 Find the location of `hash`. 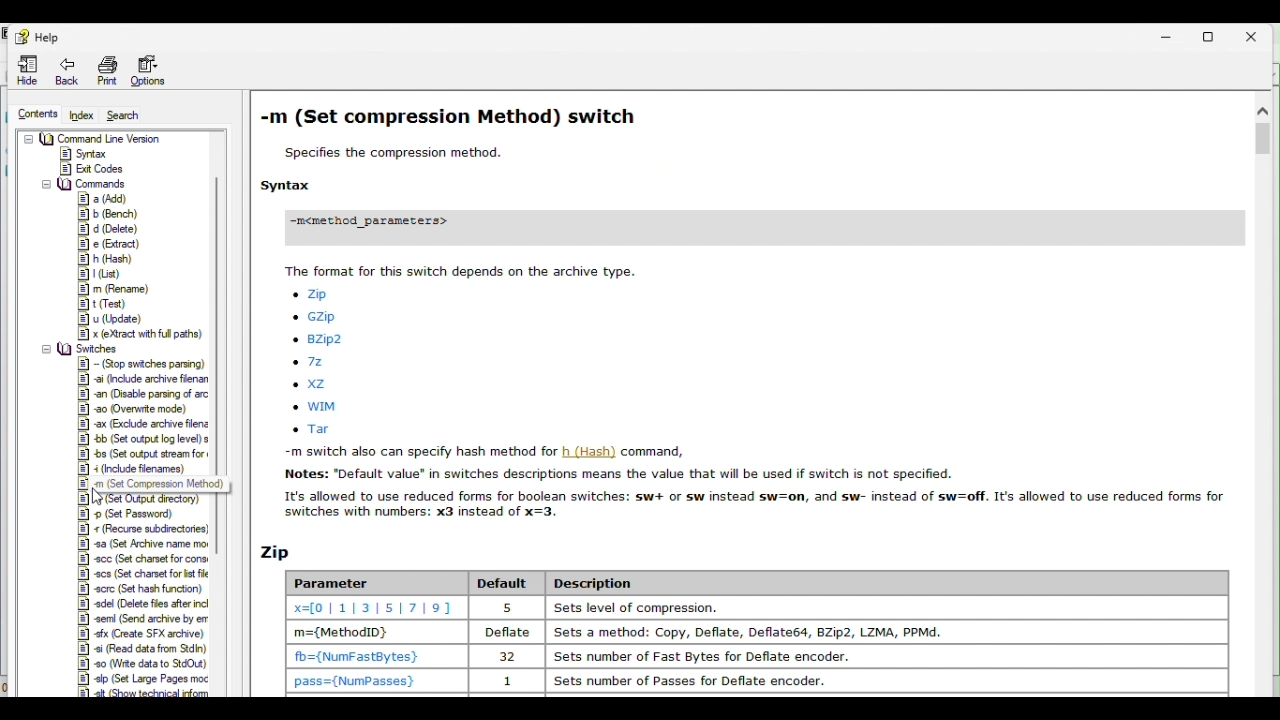

hash is located at coordinates (109, 257).